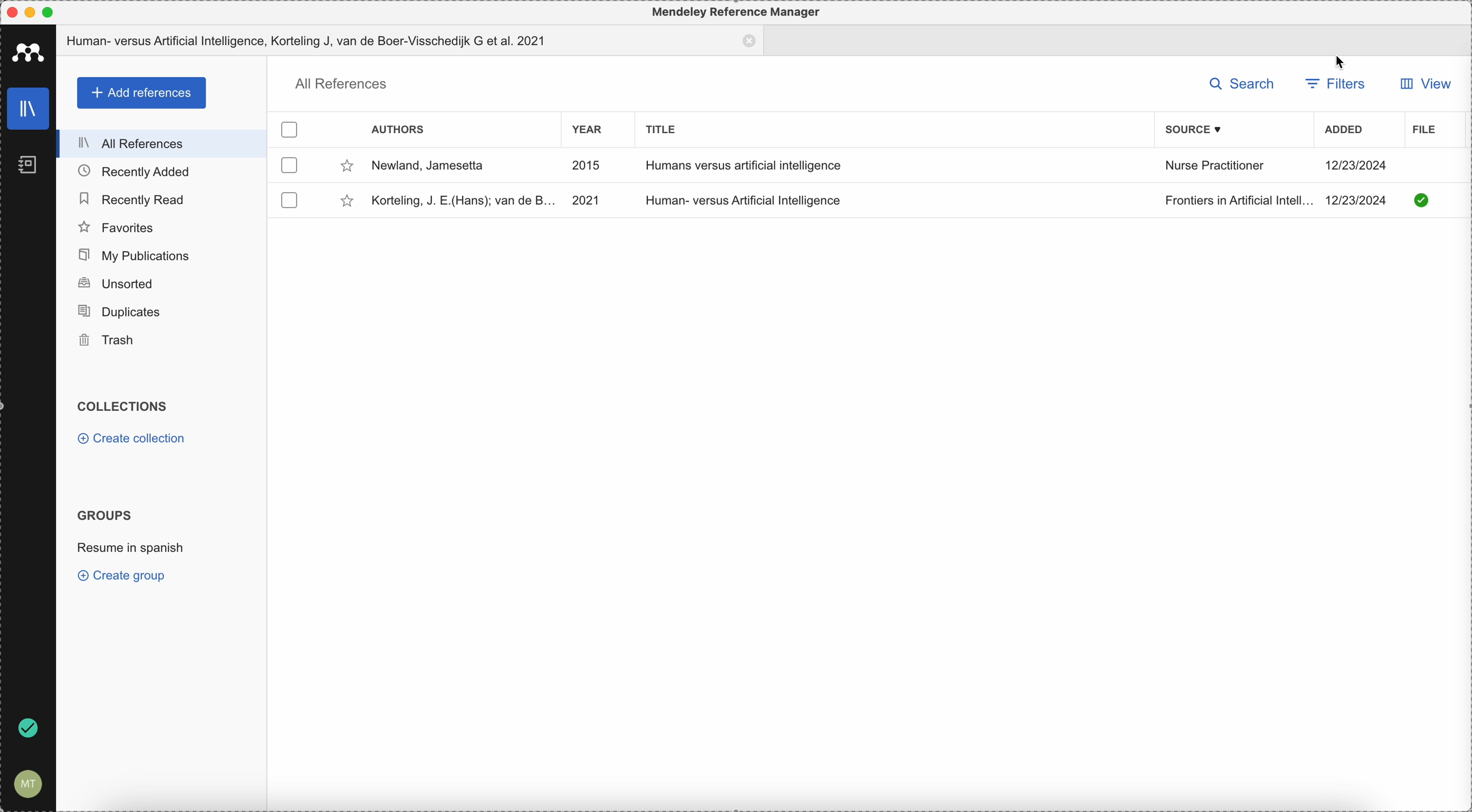 The width and height of the screenshot is (1472, 812). I want to click on cursor, so click(1341, 62).